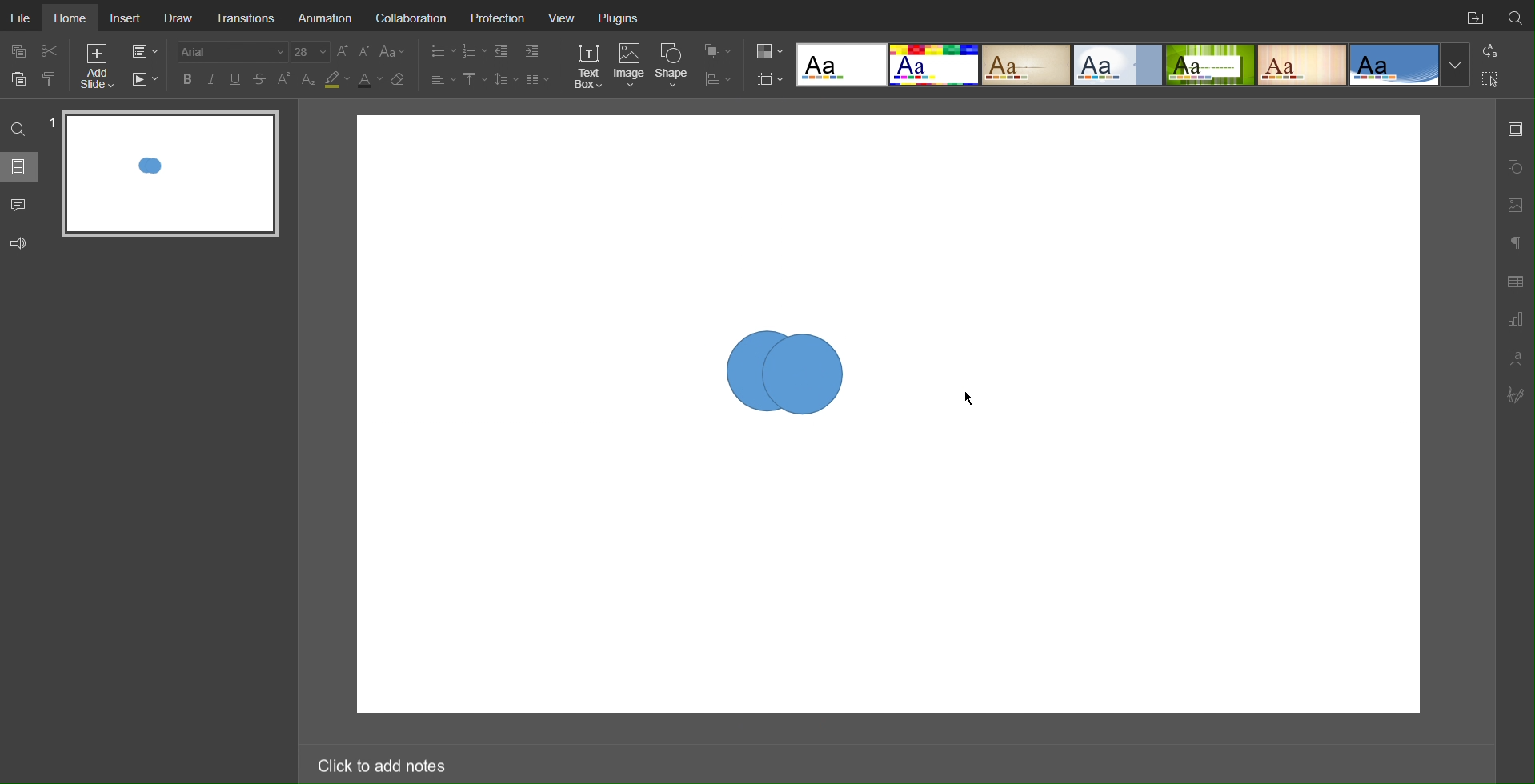 This screenshot has height=784, width=1535. What do you see at coordinates (1515, 320) in the screenshot?
I see `Paragraph Settings` at bounding box center [1515, 320].